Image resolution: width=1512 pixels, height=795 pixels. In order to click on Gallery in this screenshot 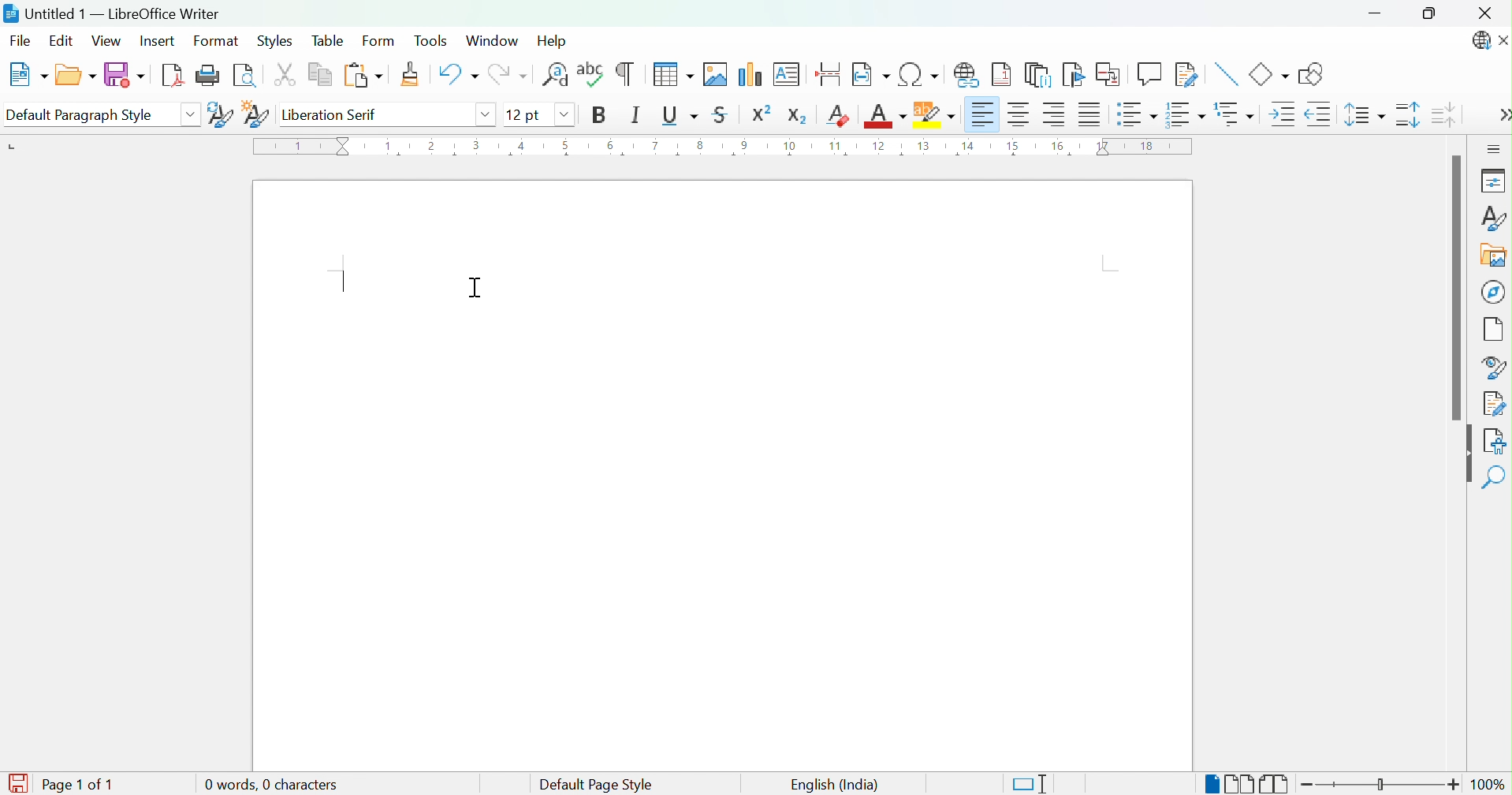, I will do `click(1492, 257)`.